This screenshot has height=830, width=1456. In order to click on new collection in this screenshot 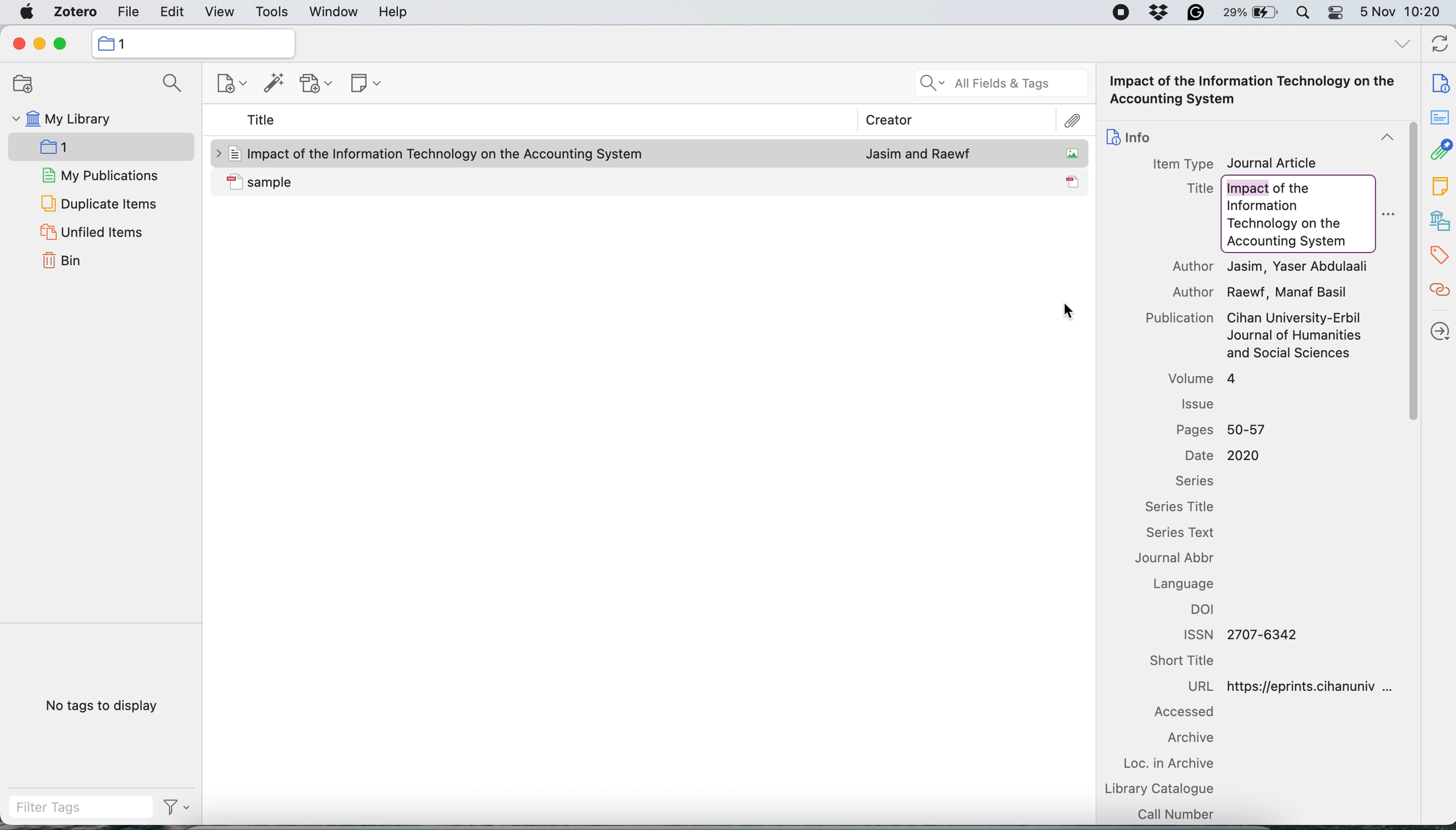, I will do `click(99, 147)`.